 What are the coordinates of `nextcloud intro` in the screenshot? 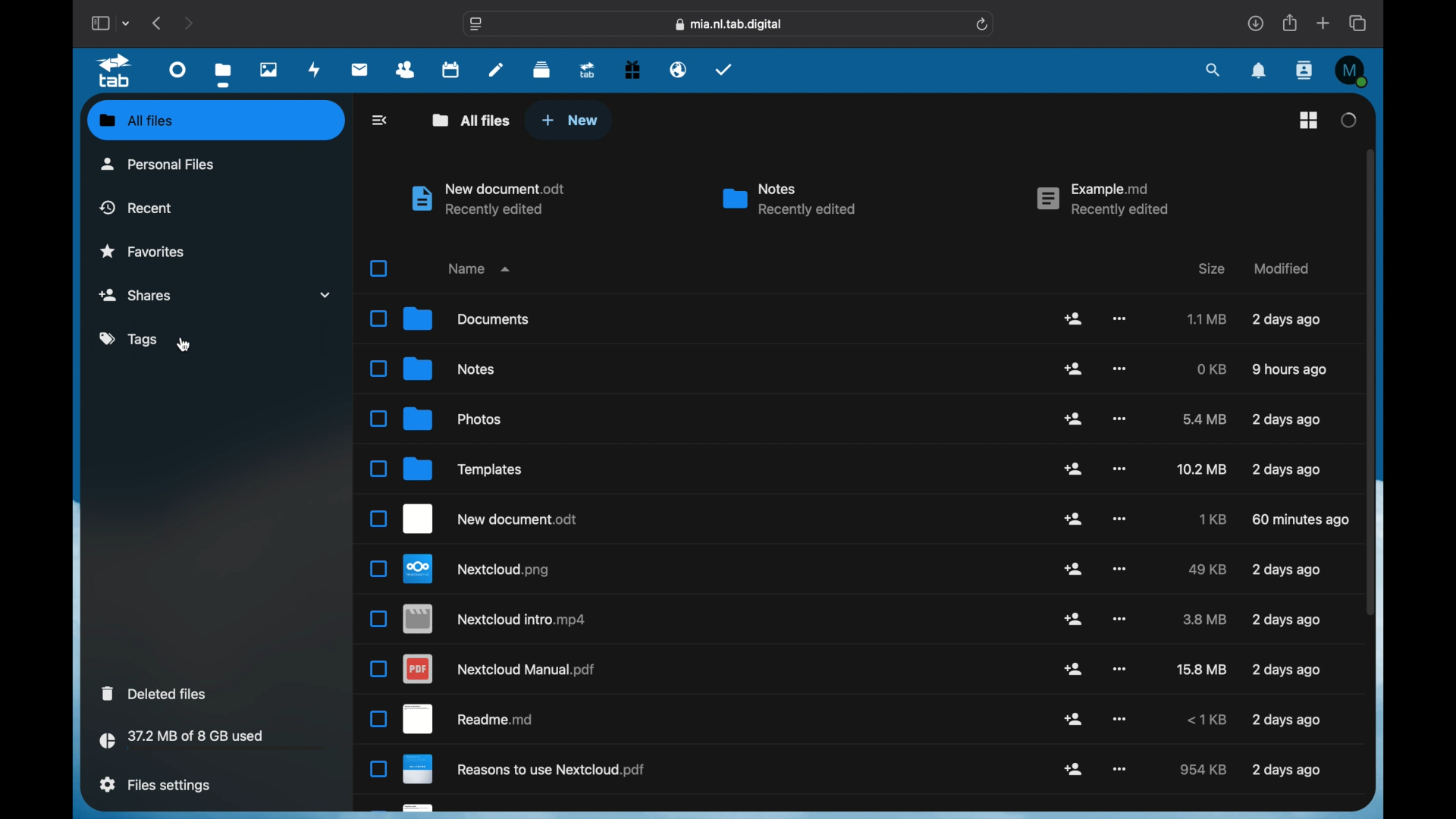 It's located at (495, 619).